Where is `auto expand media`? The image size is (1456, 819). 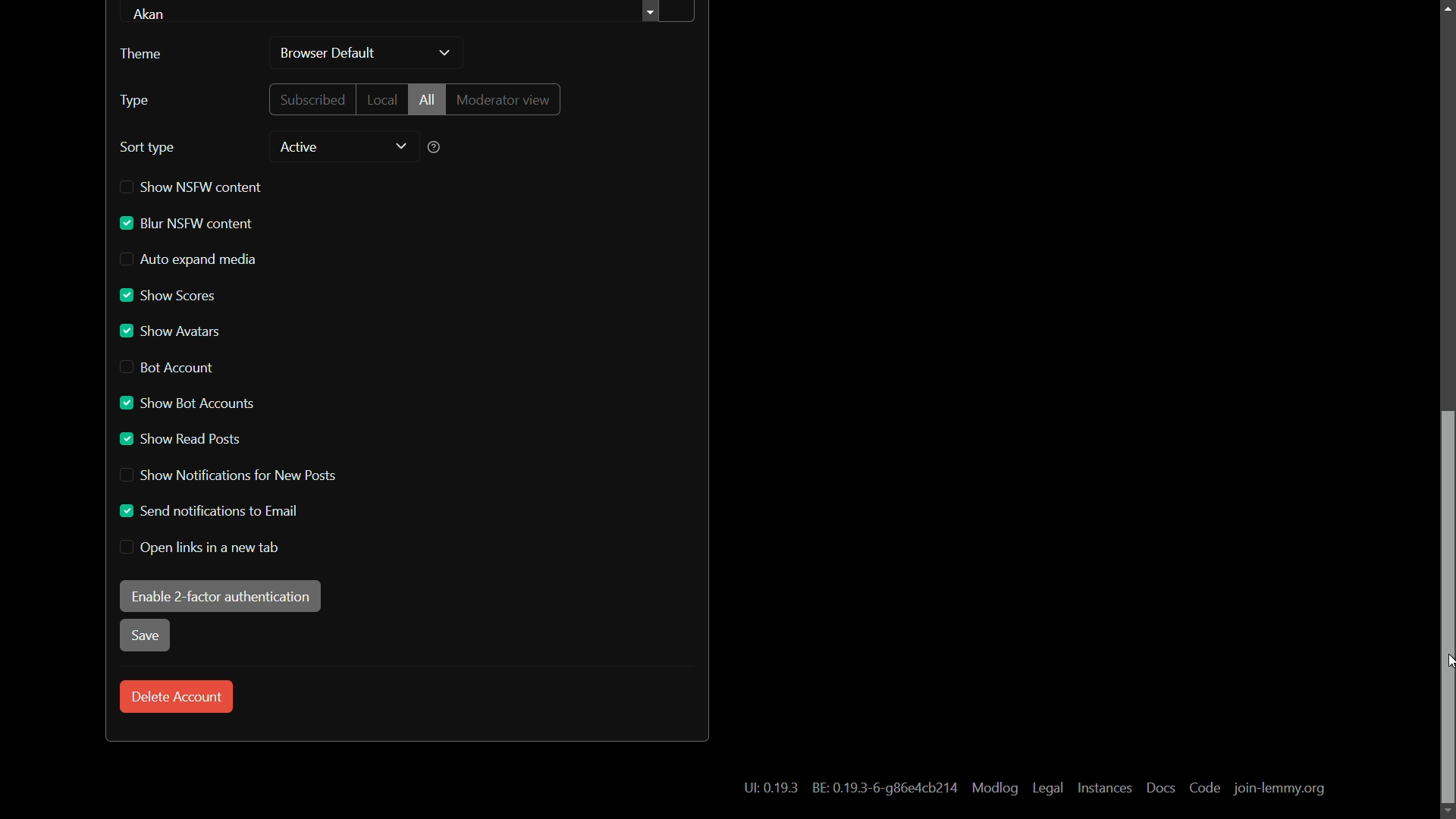 auto expand media is located at coordinates (190, 259).